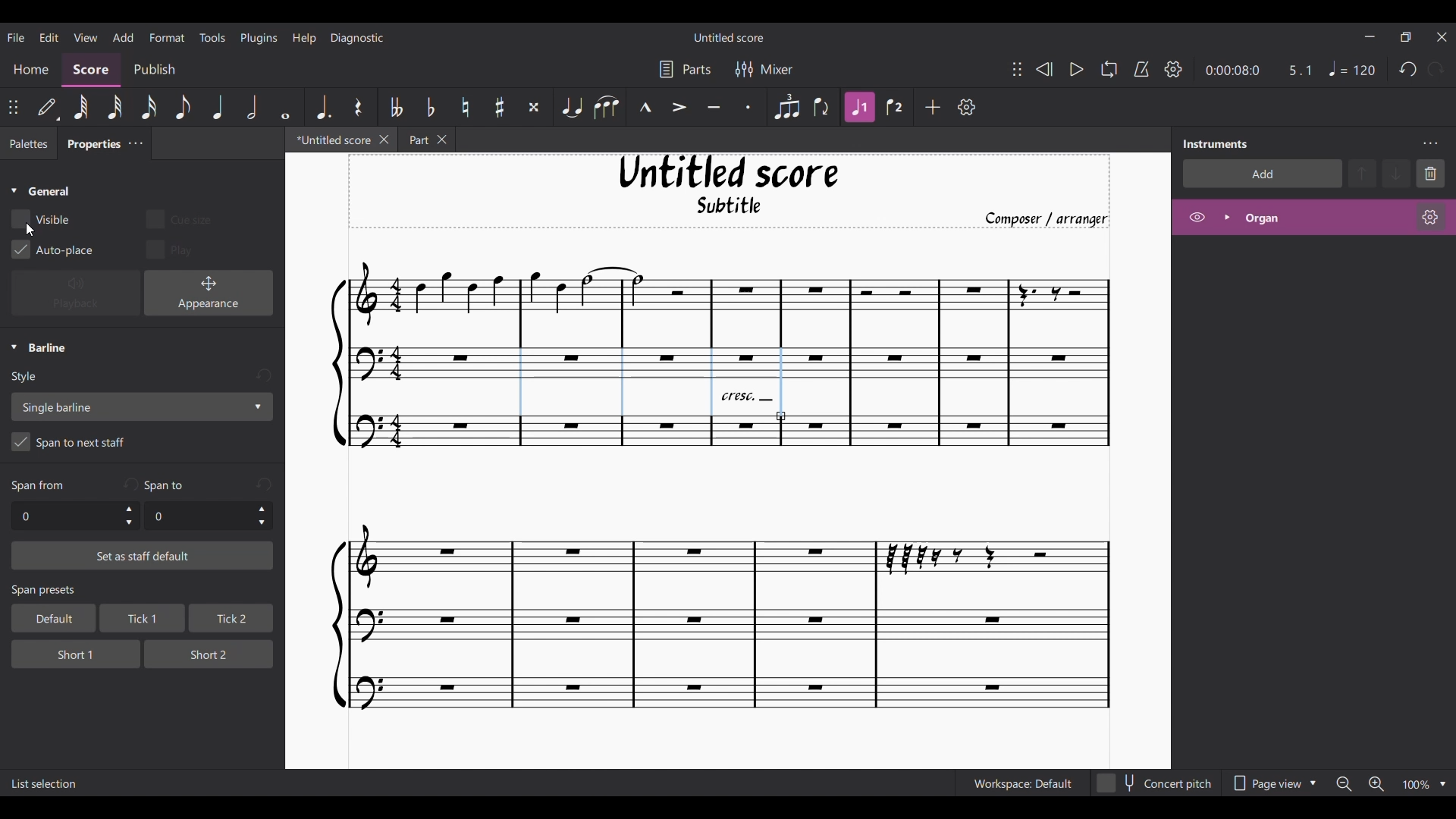  Describe the element at coordinates (49, 618) in the screenshot. I see `default` at that location.